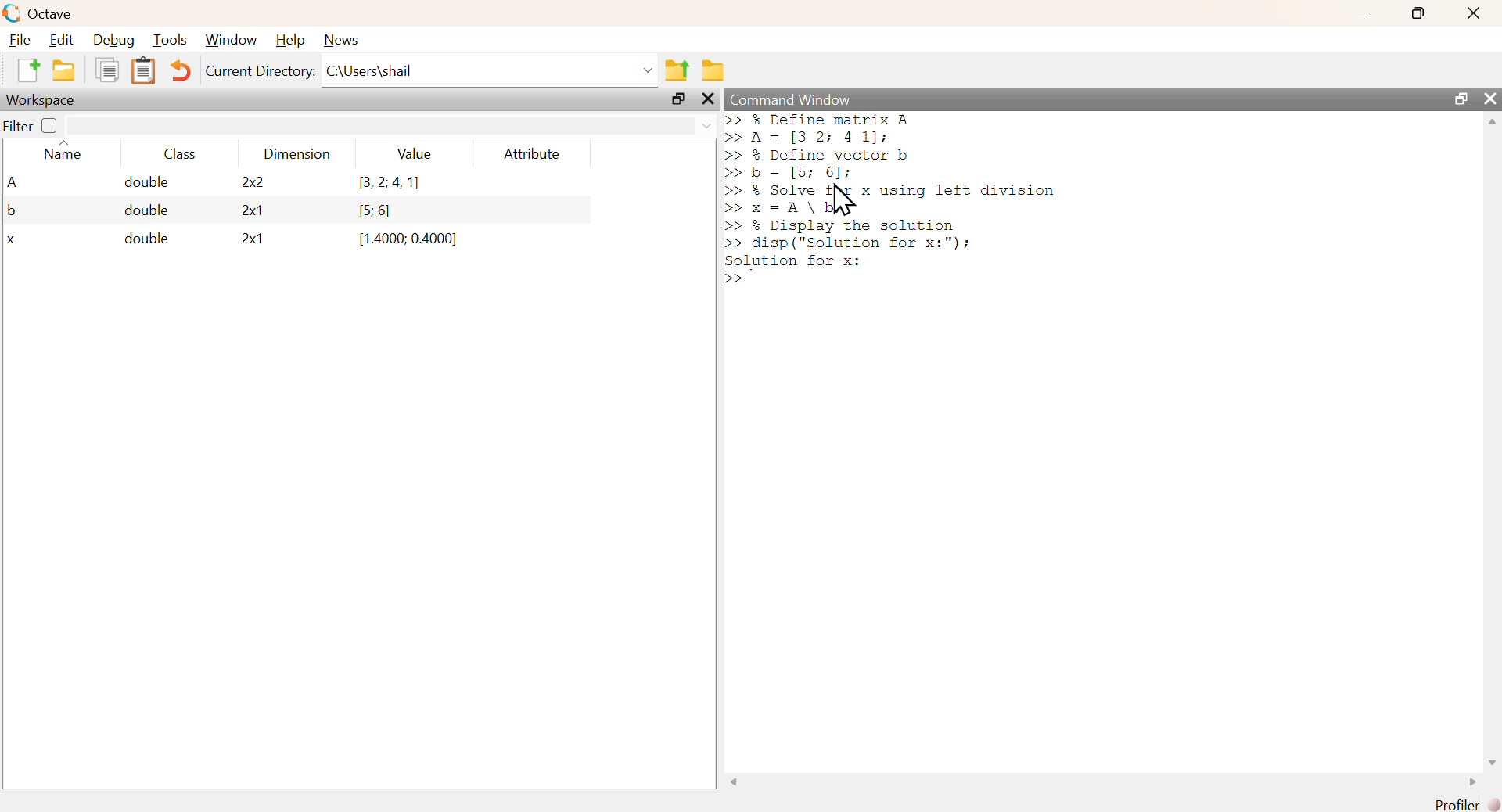 This screenshot has width=1502, height=812. I want to click on minimize, so click(1362, 15).